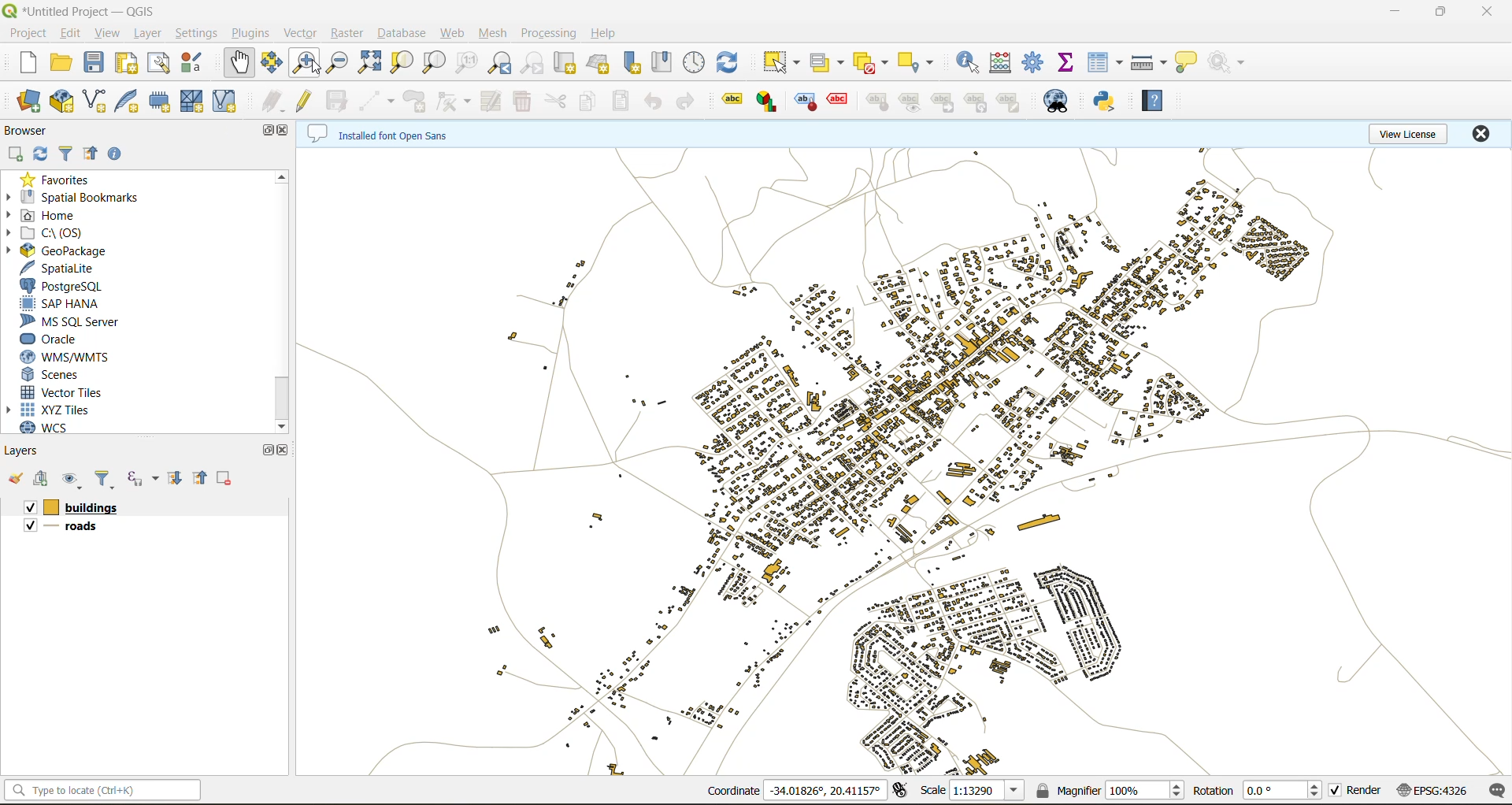 The width and height of the screenshot is (1512, 805). I want to click on delete , so click(224, 477).